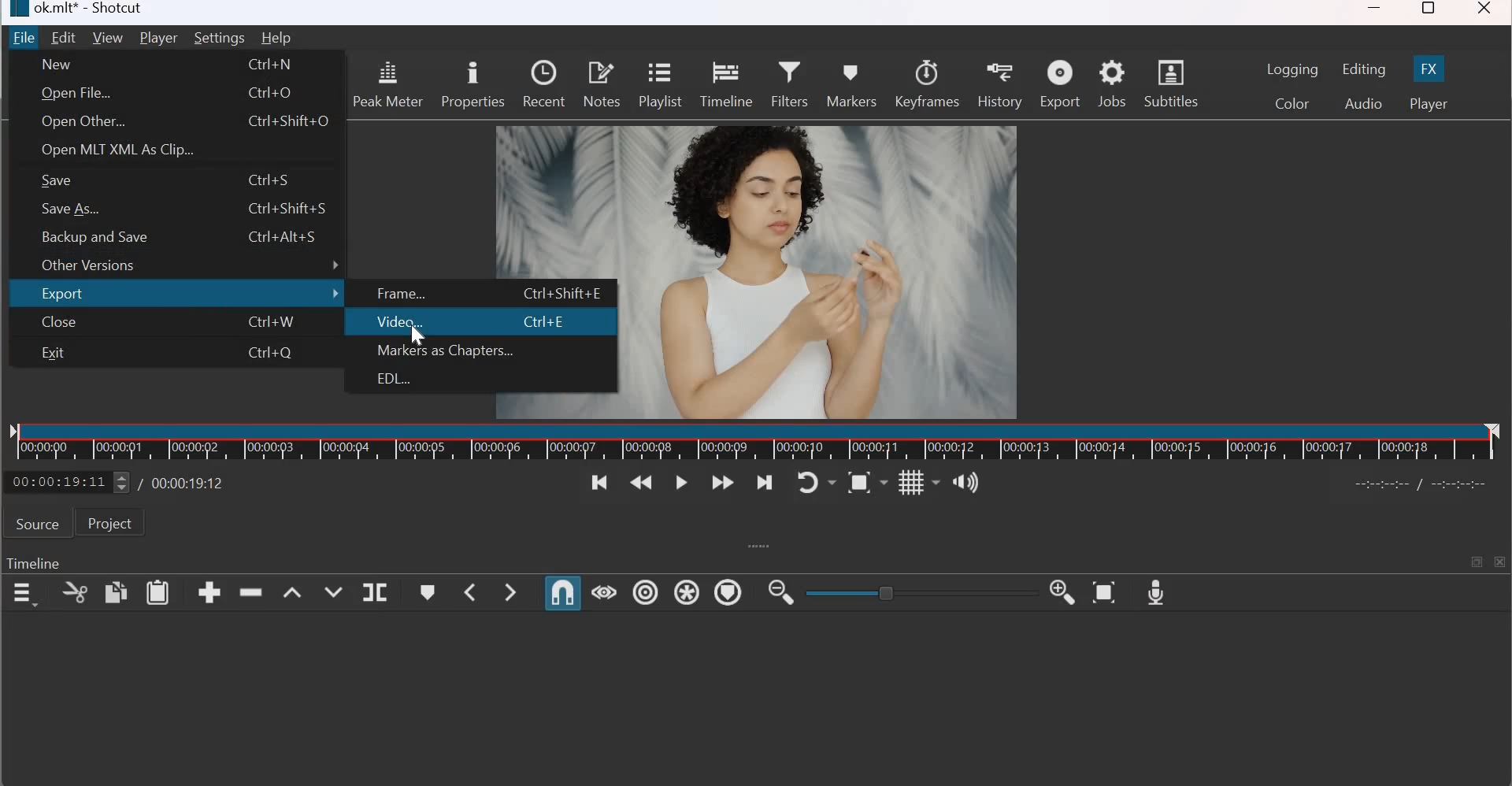 The height and width of the screenshot is (786, 1512). I want to click on Ctrl+Shift+O, so click(291, 122).